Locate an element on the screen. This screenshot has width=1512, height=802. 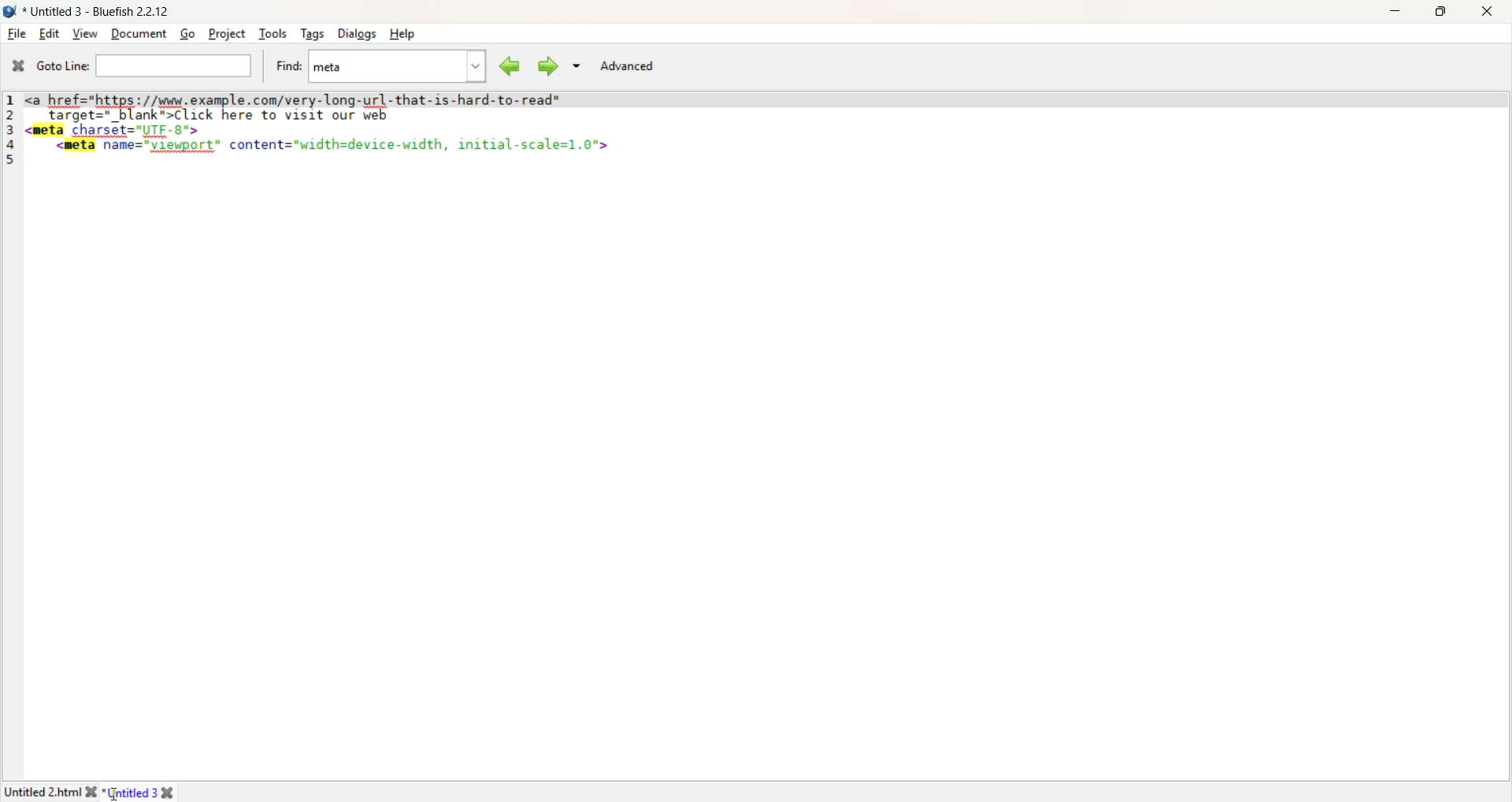
Close is located at coordinates (1486, 13).